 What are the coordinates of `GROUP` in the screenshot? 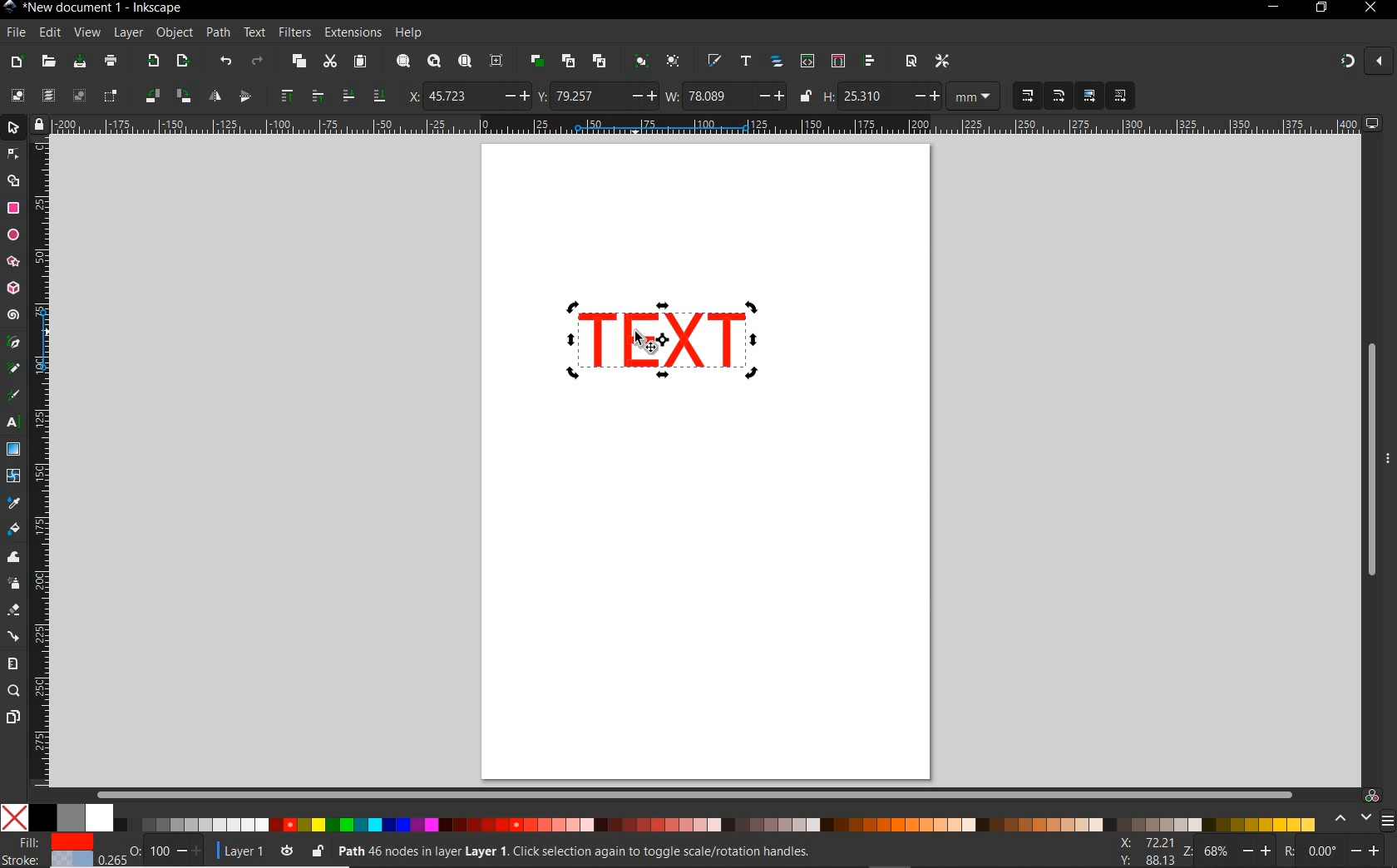 It's located at (639, 60).